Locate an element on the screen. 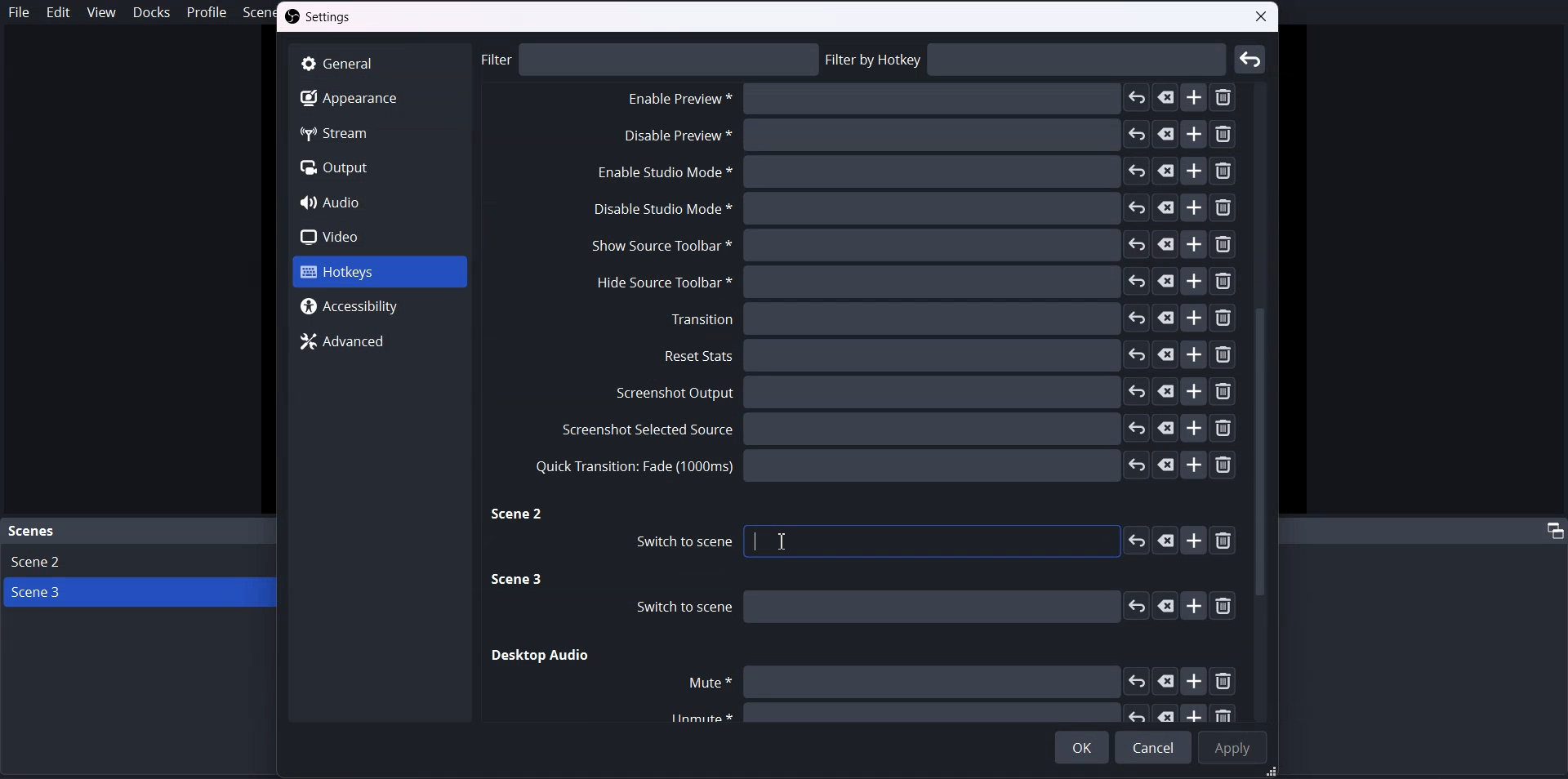 This screenshot has height=779, width=1568. View is located at coordinates (100, 11).